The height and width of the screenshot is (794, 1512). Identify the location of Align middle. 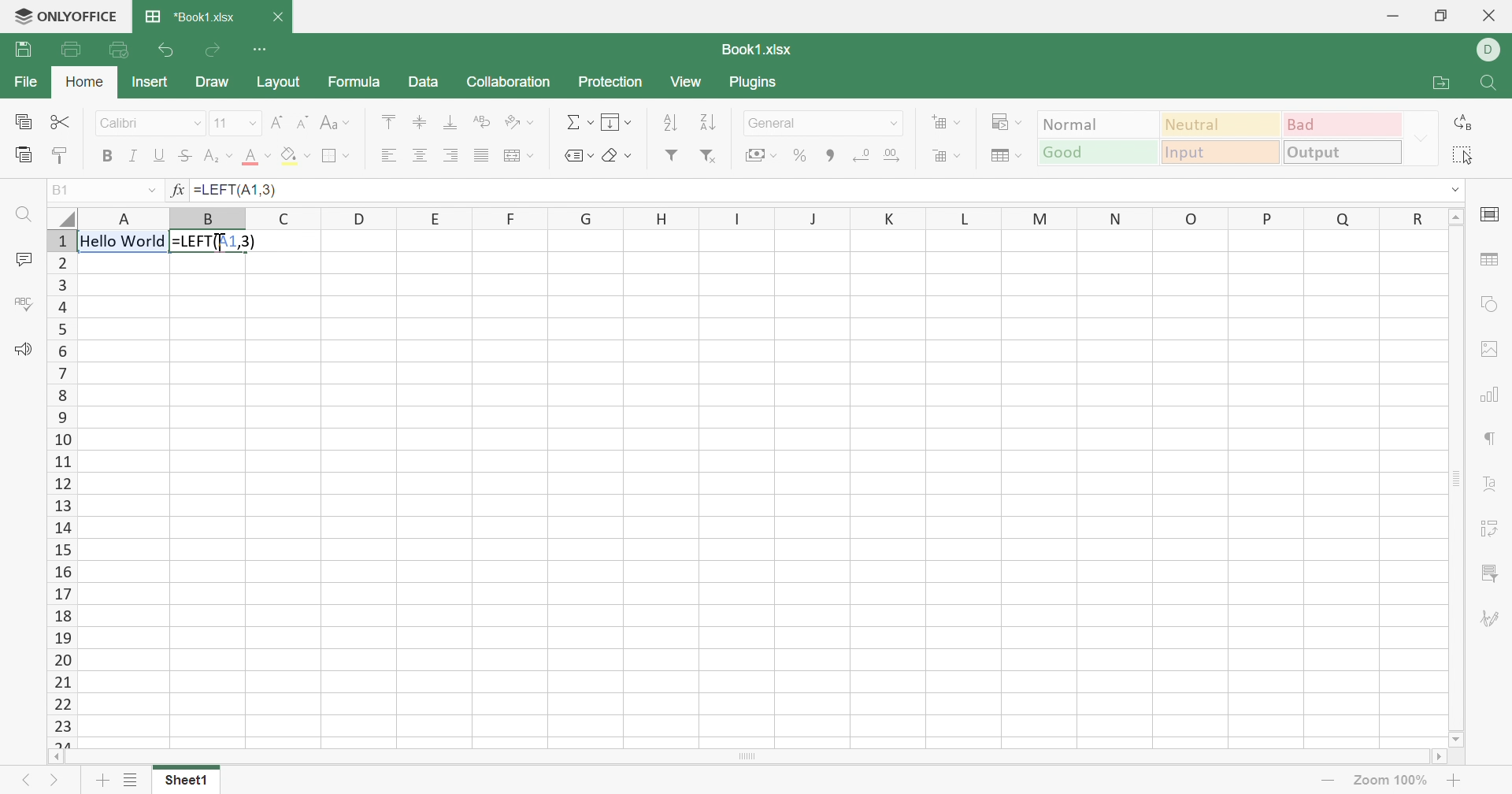
(420, 122).